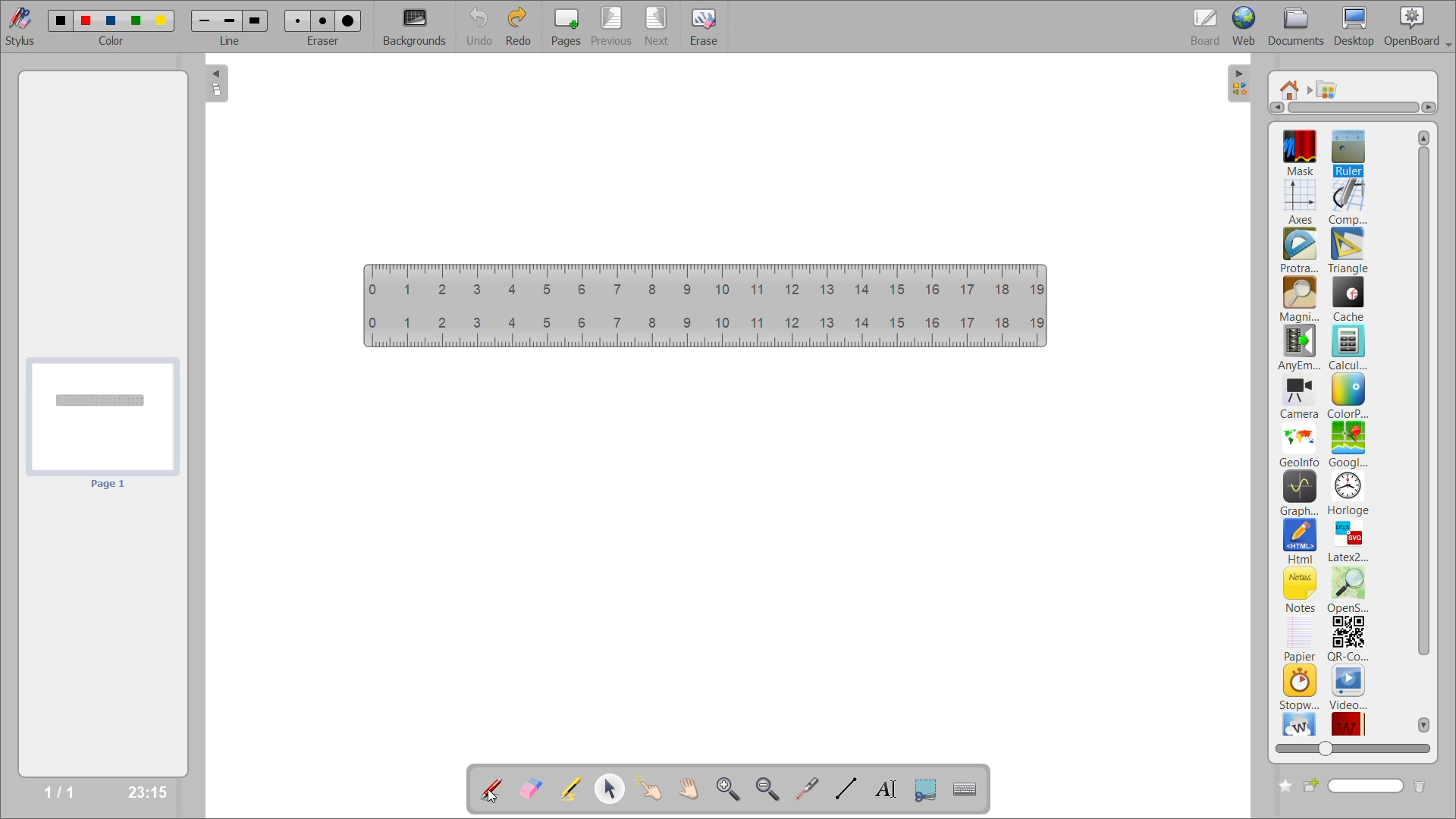  Describe the element at coordinates (298, 20) in the screenshot. I see `eraser 1` at that location.